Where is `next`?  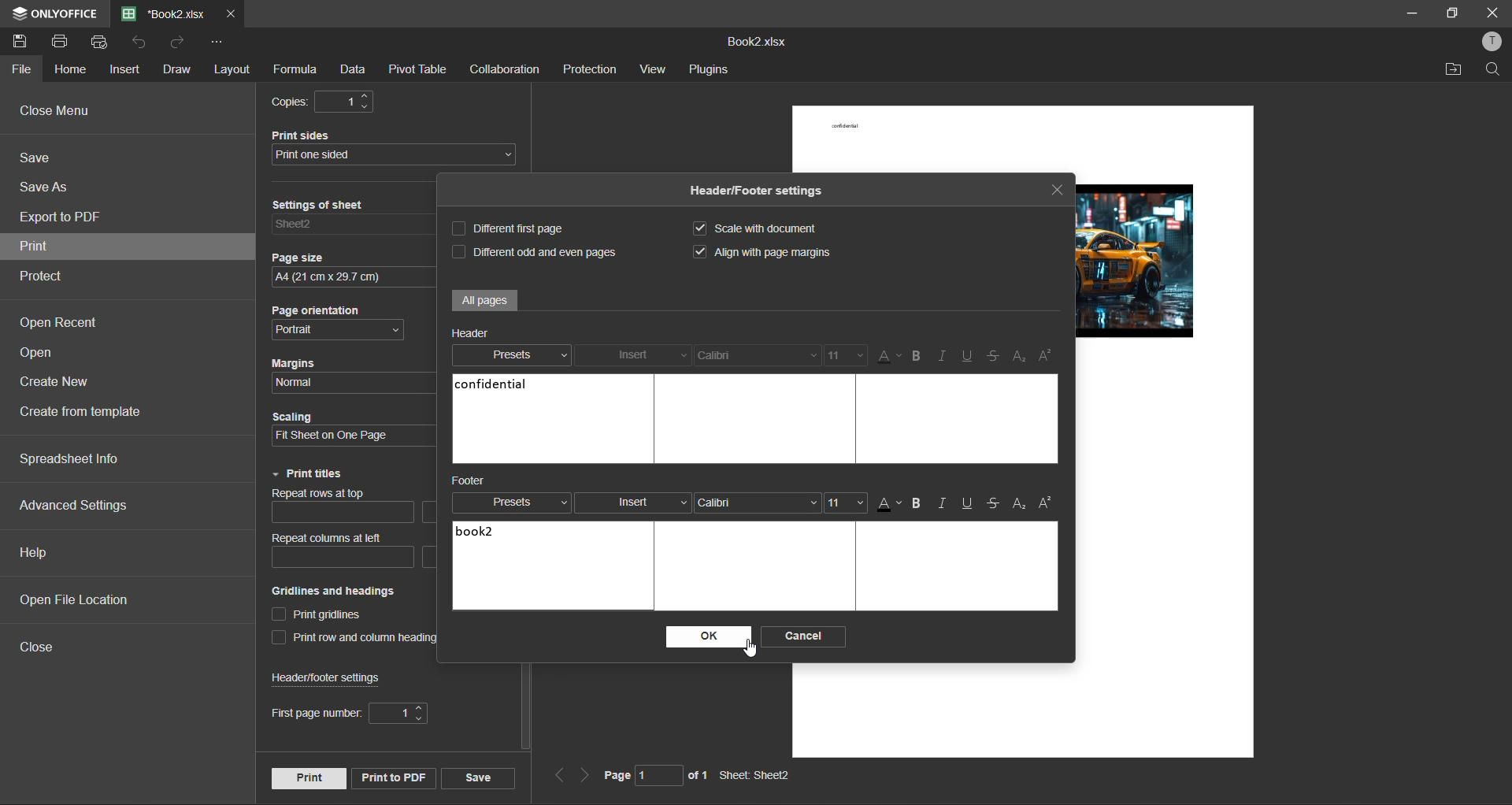 next is located at coordinates (584, 775).